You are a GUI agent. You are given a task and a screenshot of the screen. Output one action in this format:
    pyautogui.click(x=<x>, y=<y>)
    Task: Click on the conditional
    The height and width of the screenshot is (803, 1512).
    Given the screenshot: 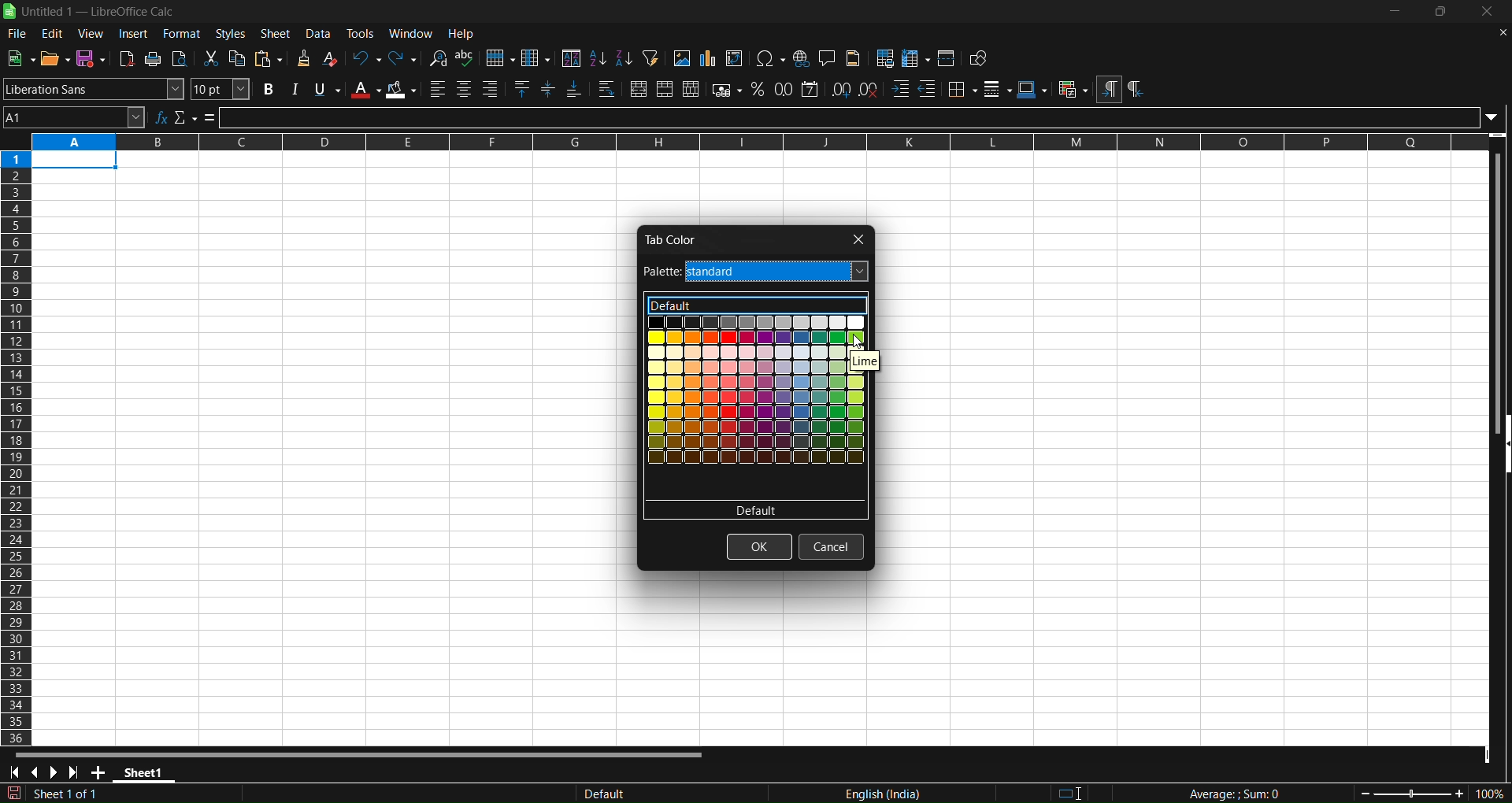 What is the action you would take?
    pyautogui.click(x=1072, y=90)
    